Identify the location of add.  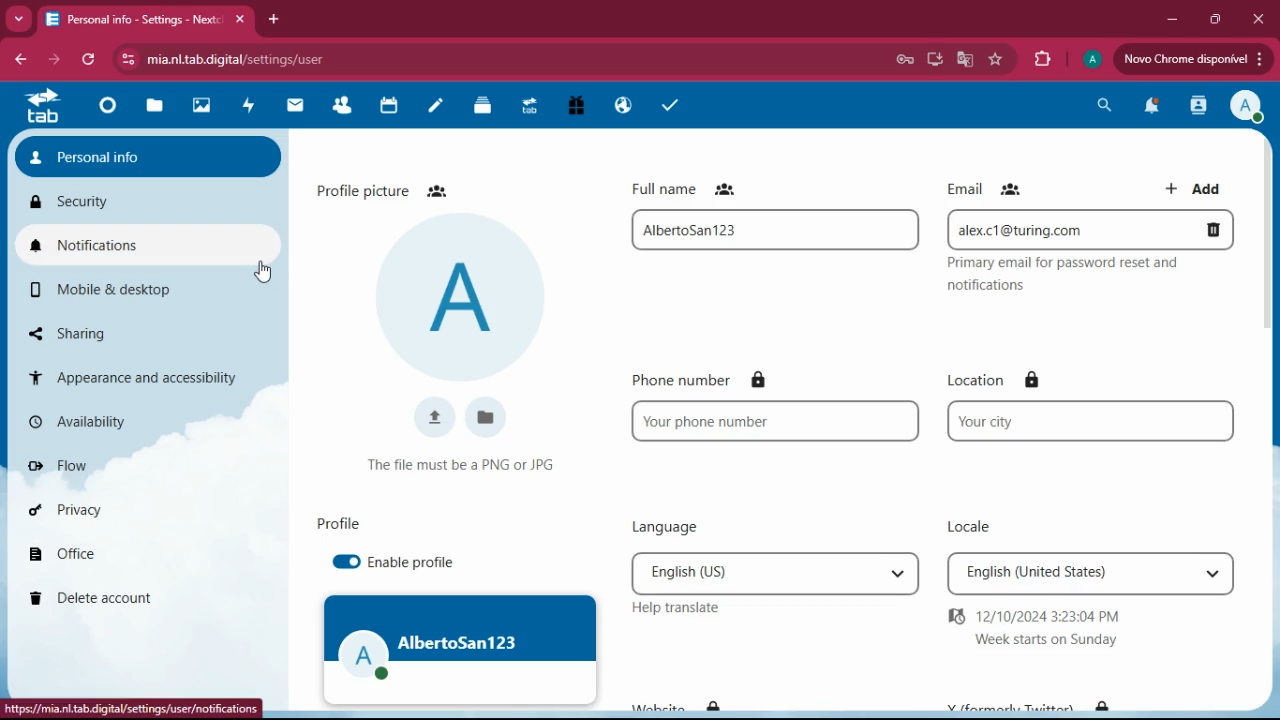
(1198, 185).